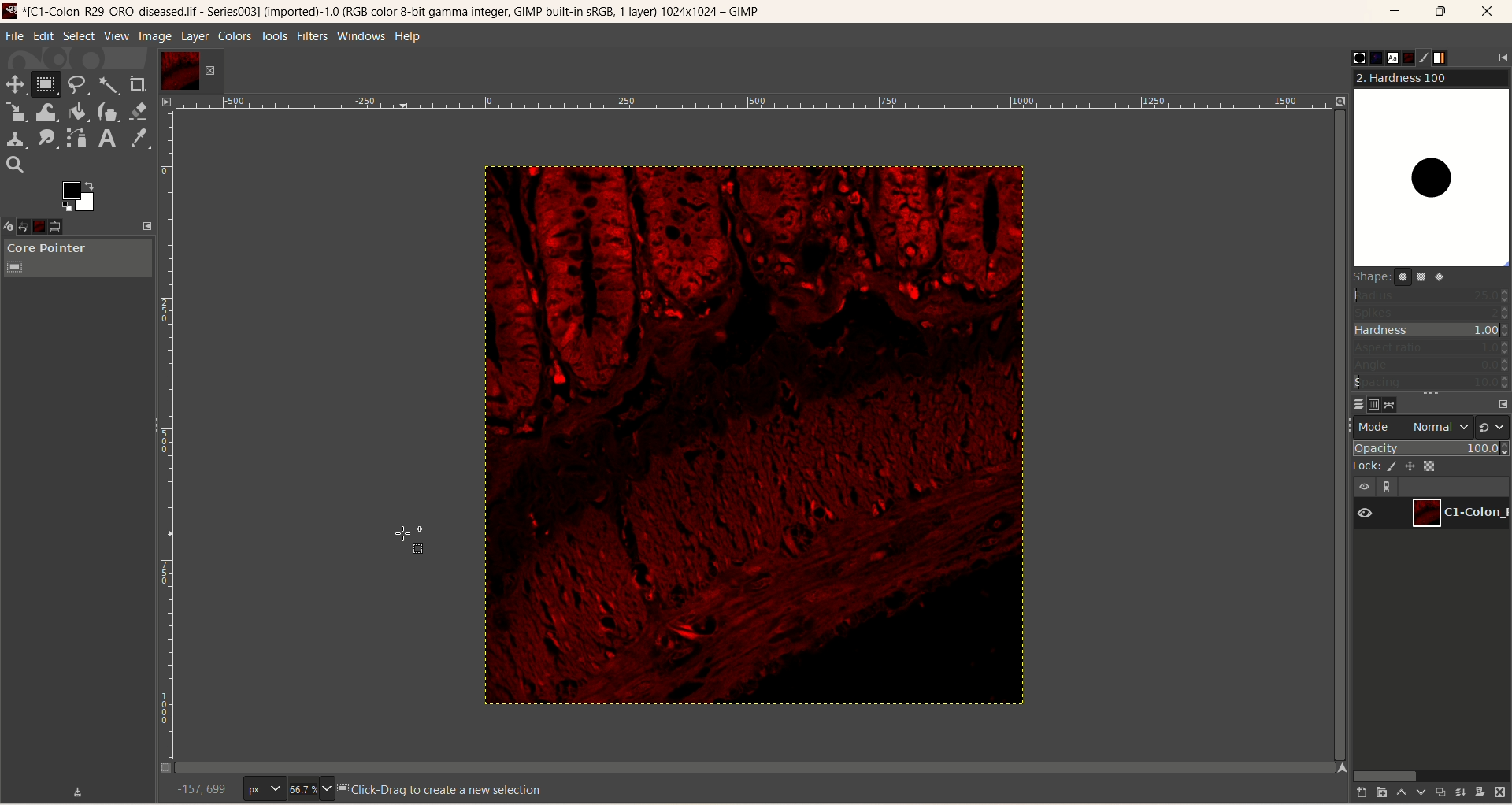  I want to click on select, so click(79, 36).